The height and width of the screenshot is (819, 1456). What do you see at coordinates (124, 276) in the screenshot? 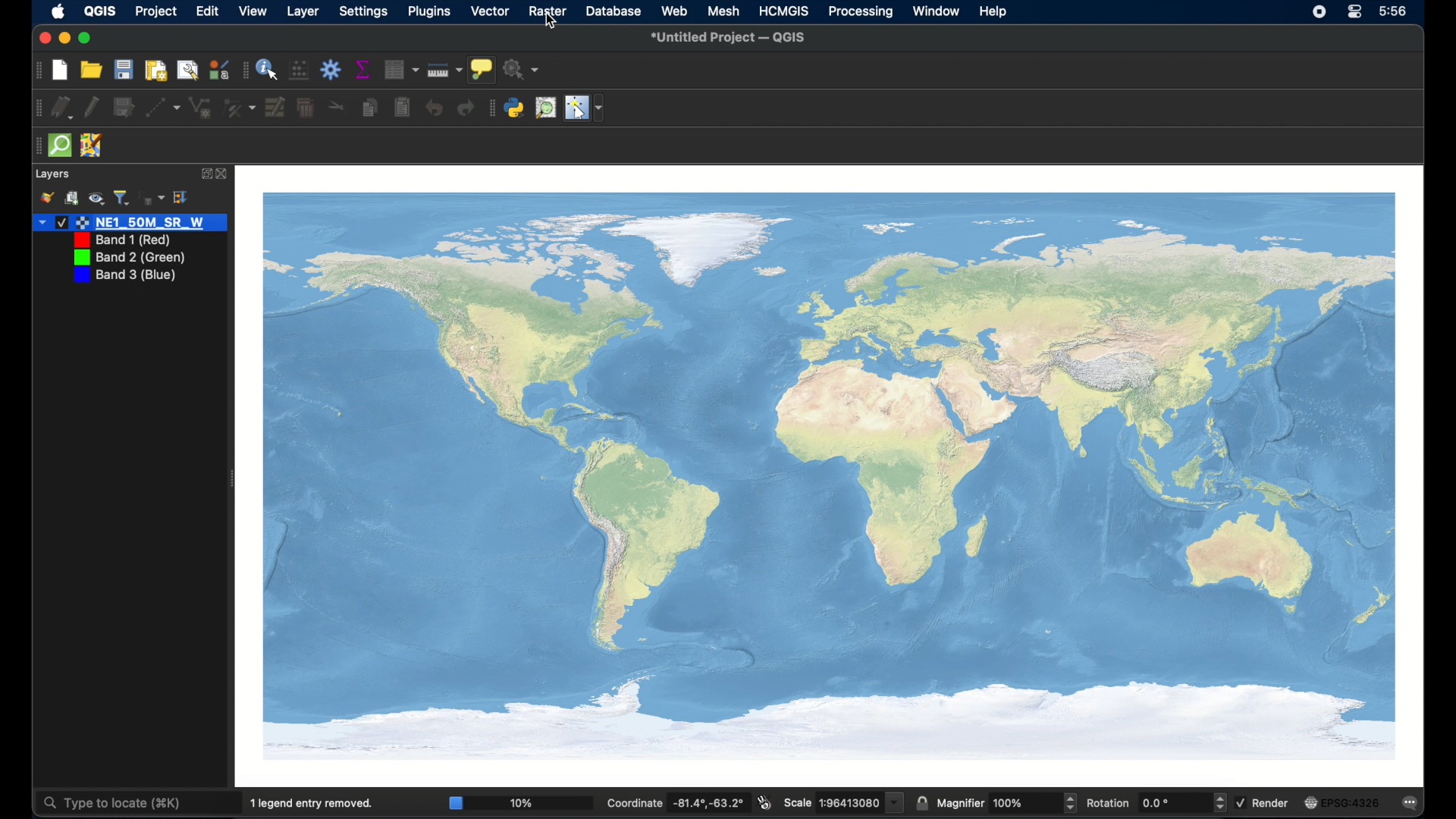
I see `layer 4` at bounding box center [124, 276].